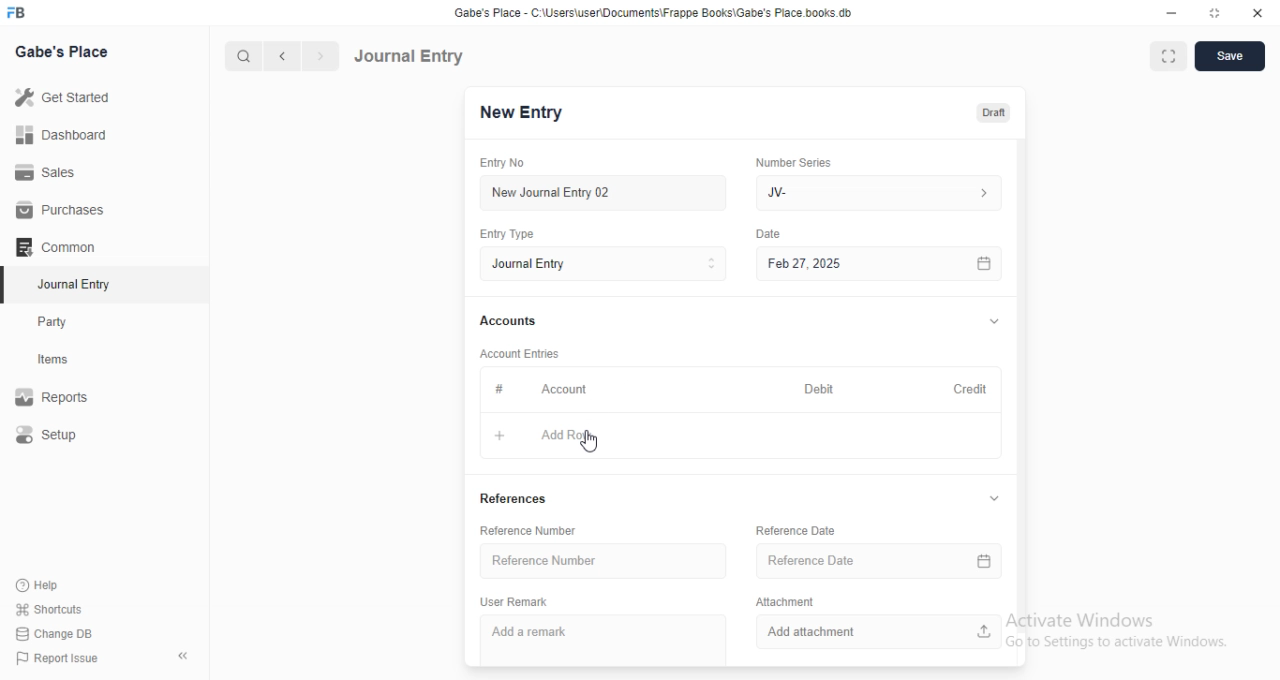 The width and height of the screenshot is (1280, 680). I want to click on Help, so click(36, 585).